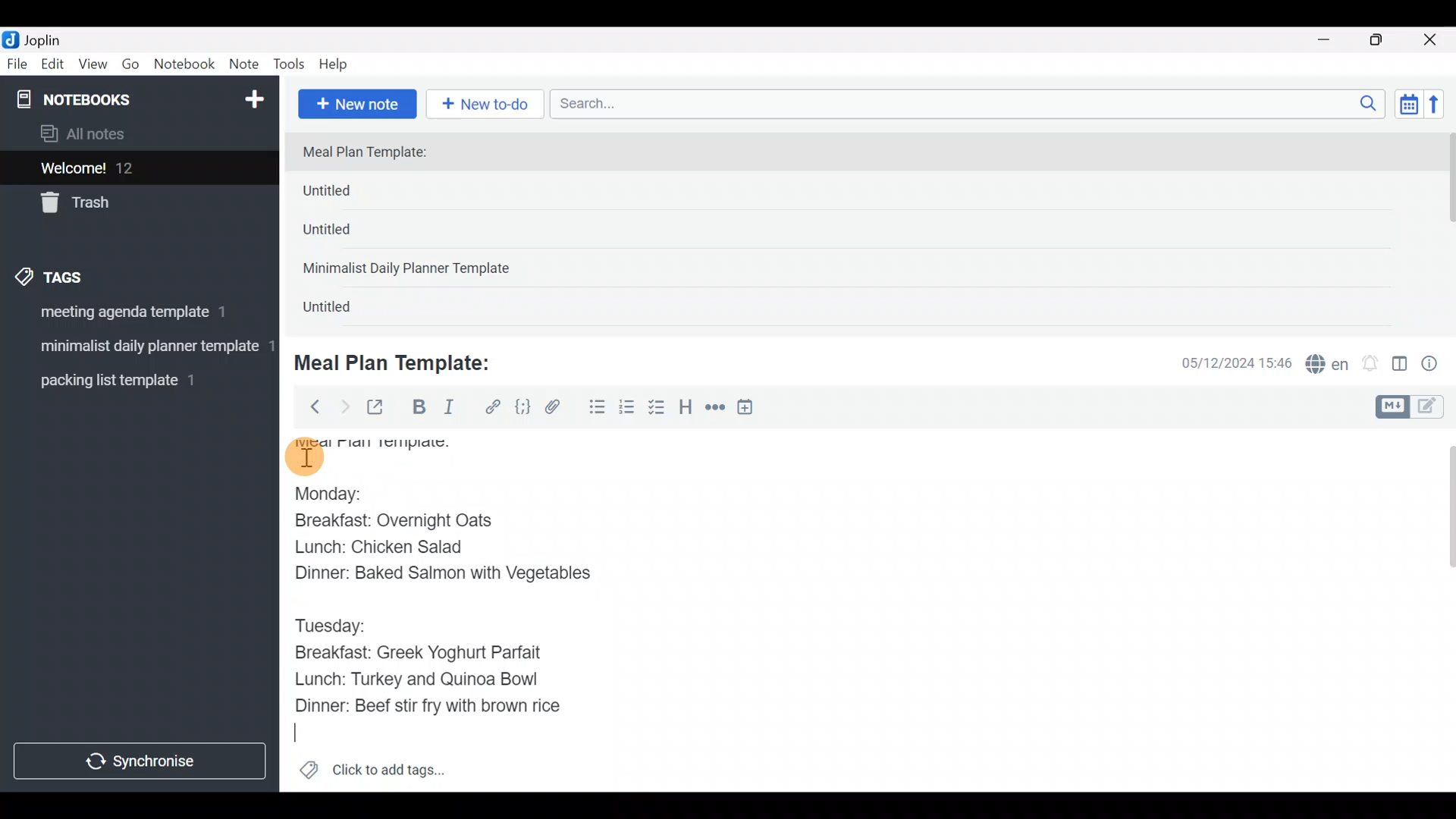 This screenshot has width=1456, height=819. I want to click on Monday:, so click(325, 497).